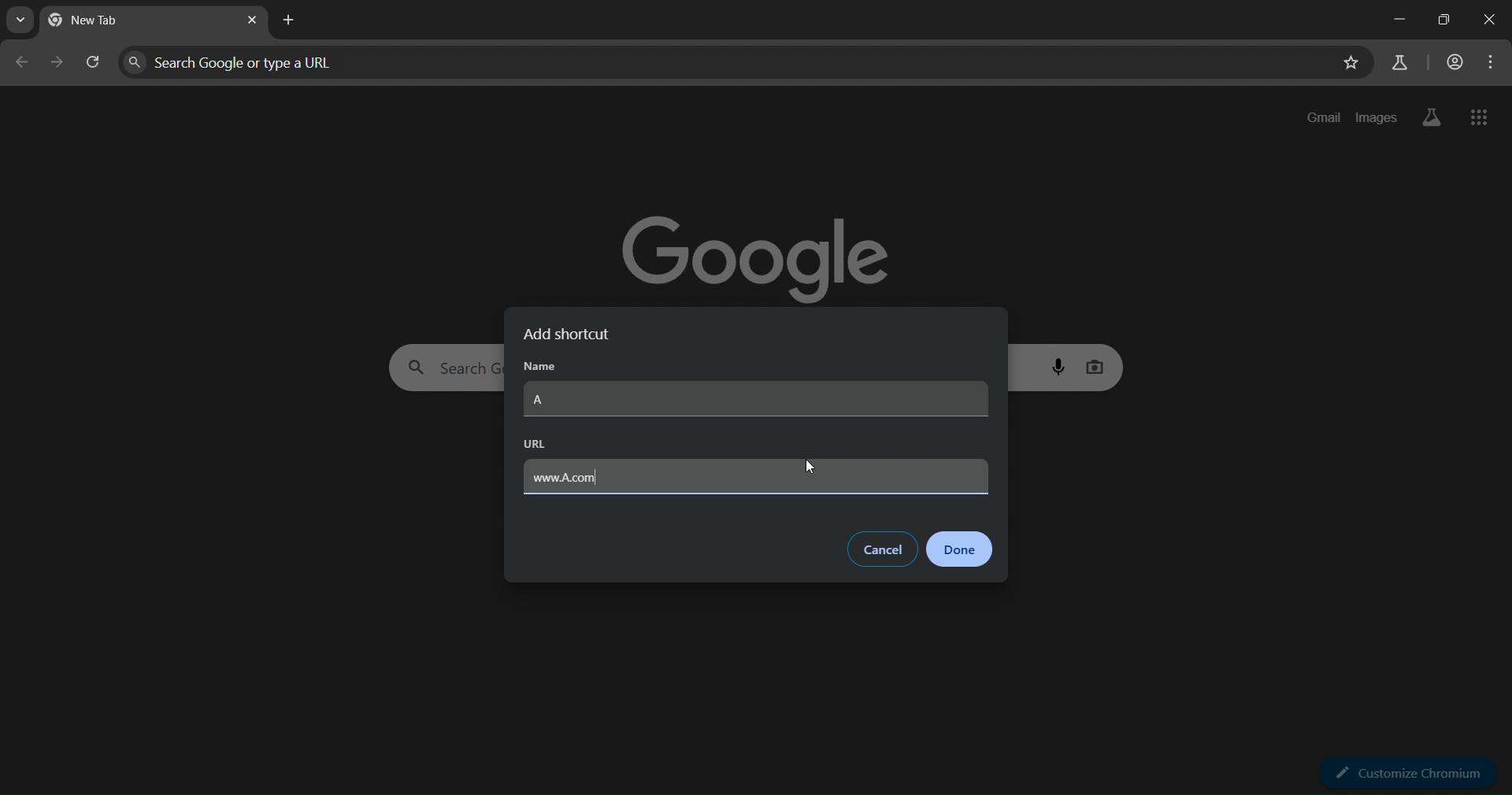  What do you see at coordinates (1395, 22) in the screenshot?
I see `minimize` at bounding box center [1395, 22].